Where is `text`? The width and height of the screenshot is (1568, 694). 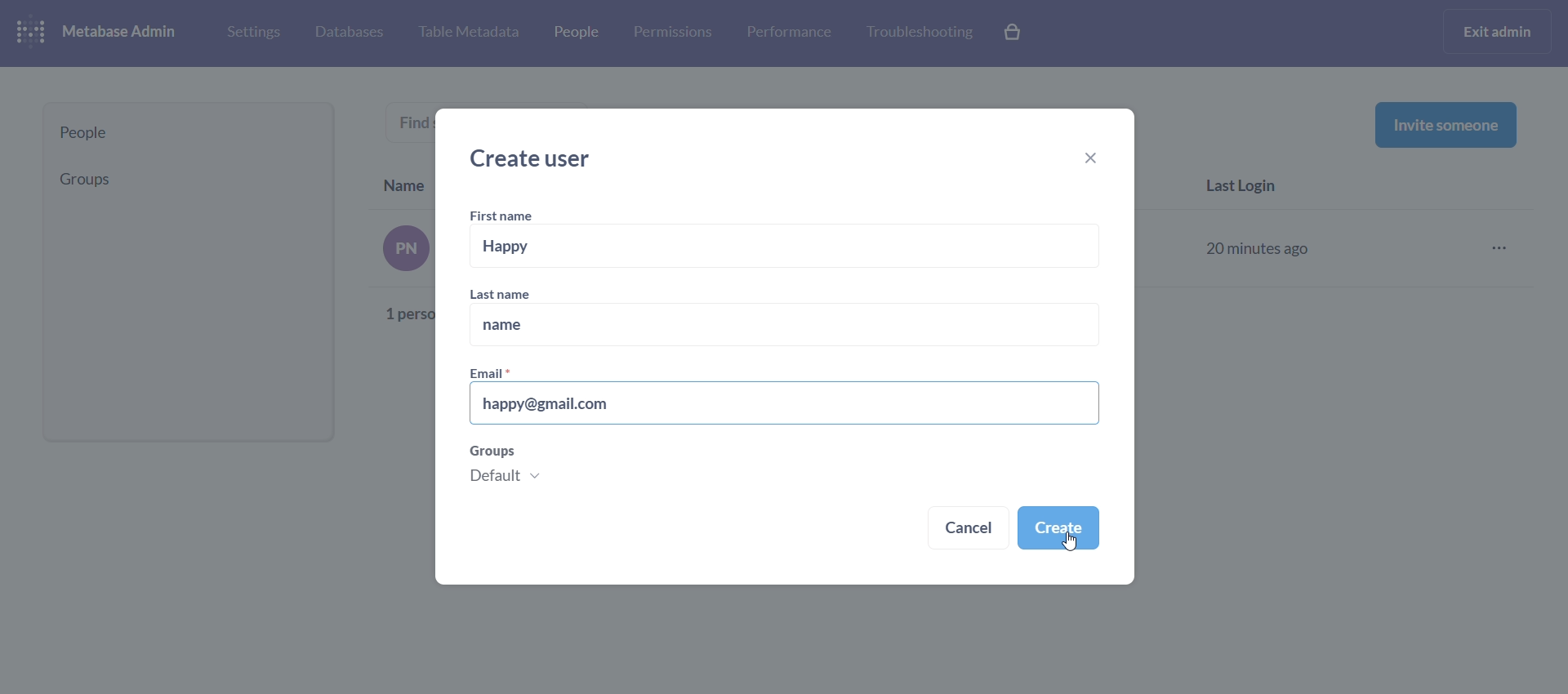
text is located at coordinates (404, 118).